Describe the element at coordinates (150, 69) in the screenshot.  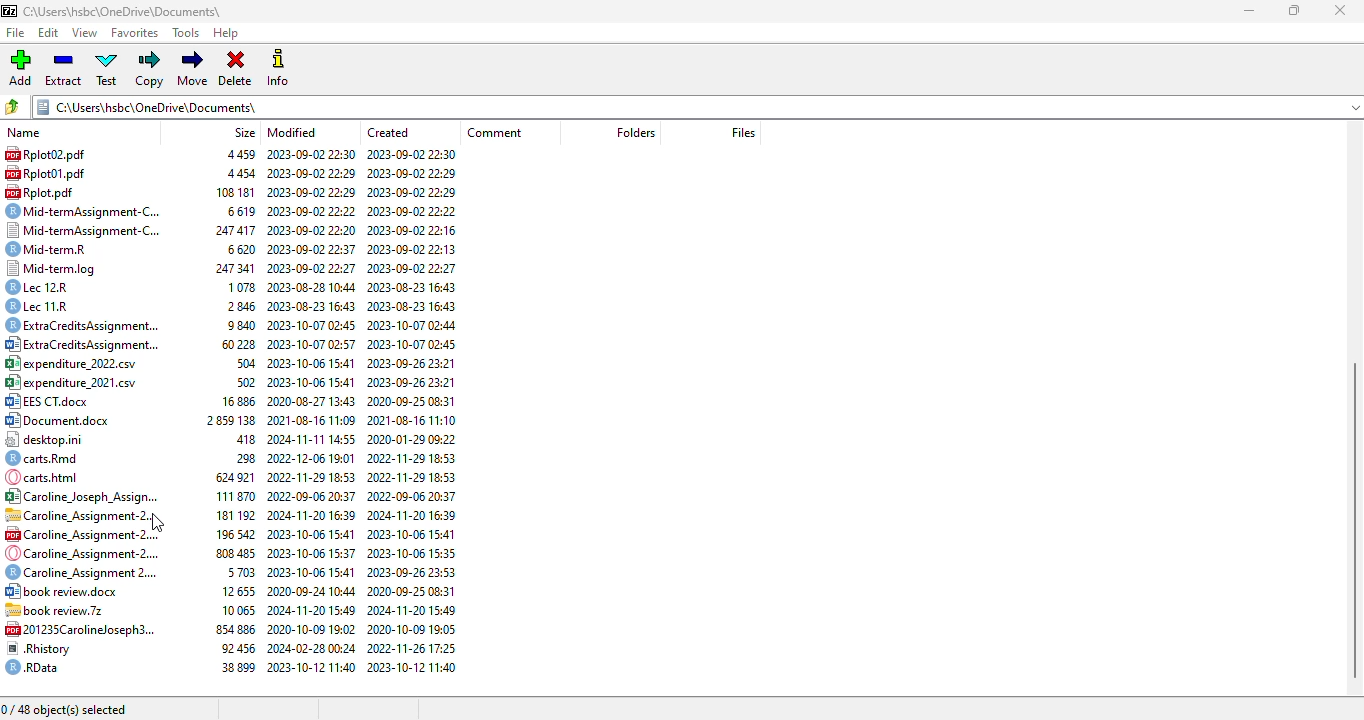
I see `copy` at that location.